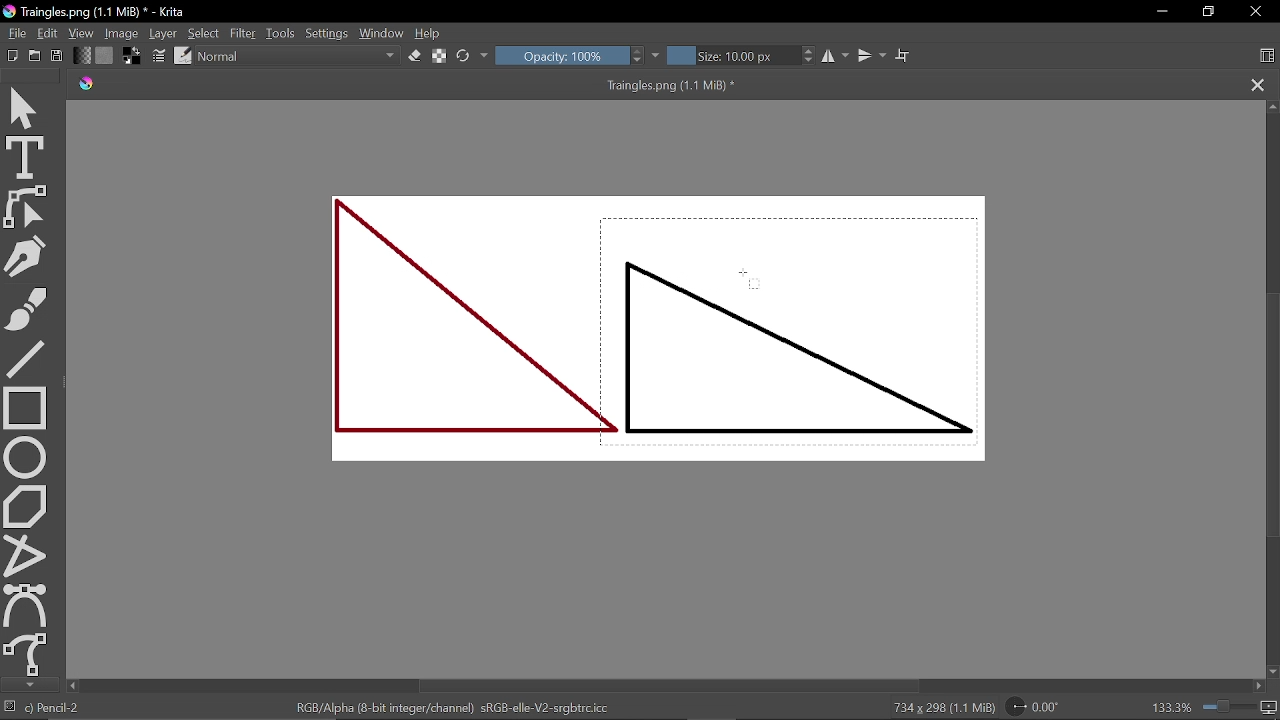  Describe the element at coordinates (18, 33) in the screenshot. I see `File` at that location.